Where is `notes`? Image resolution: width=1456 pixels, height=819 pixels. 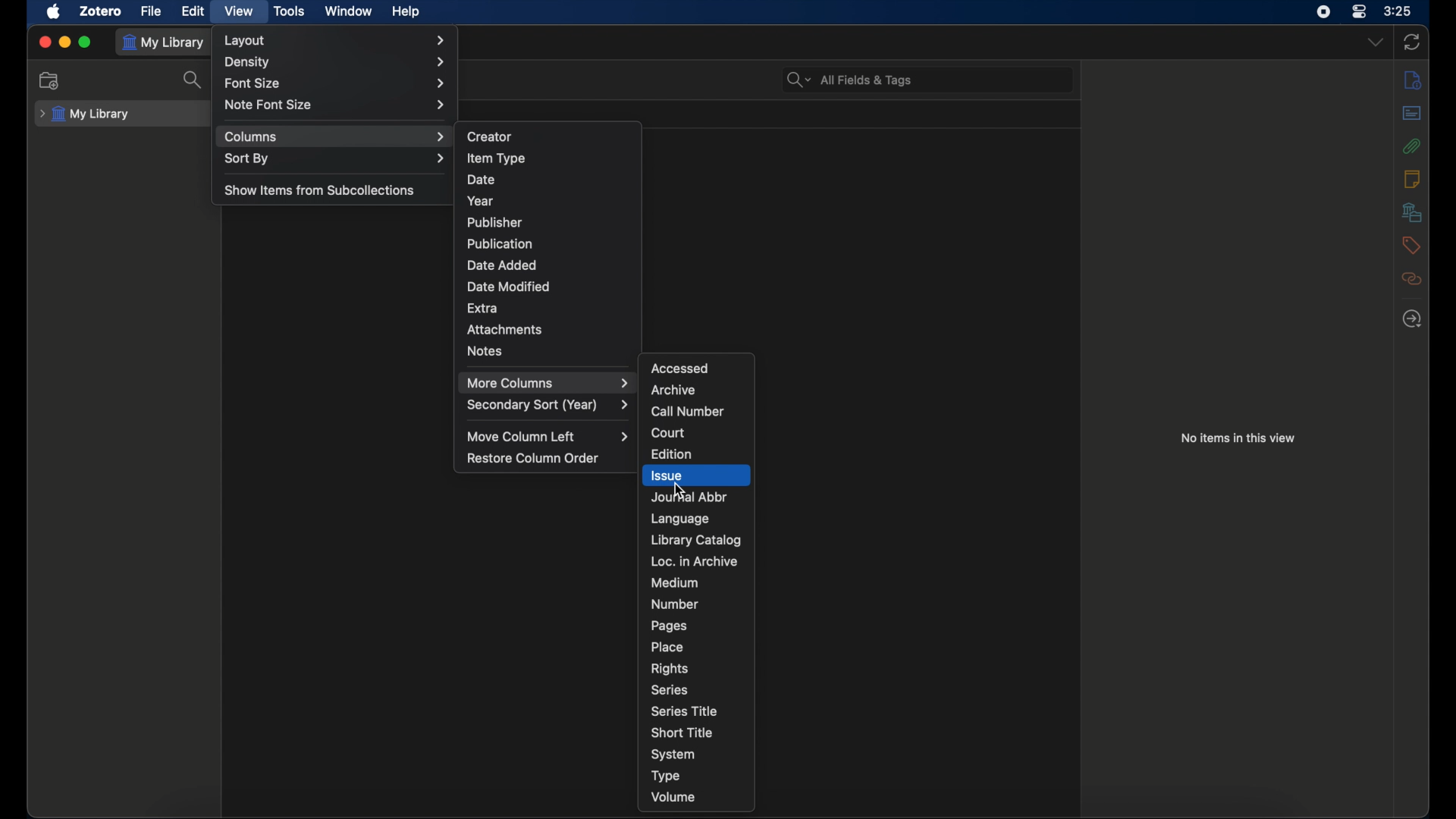
notes is located at coordinates (484, 351).